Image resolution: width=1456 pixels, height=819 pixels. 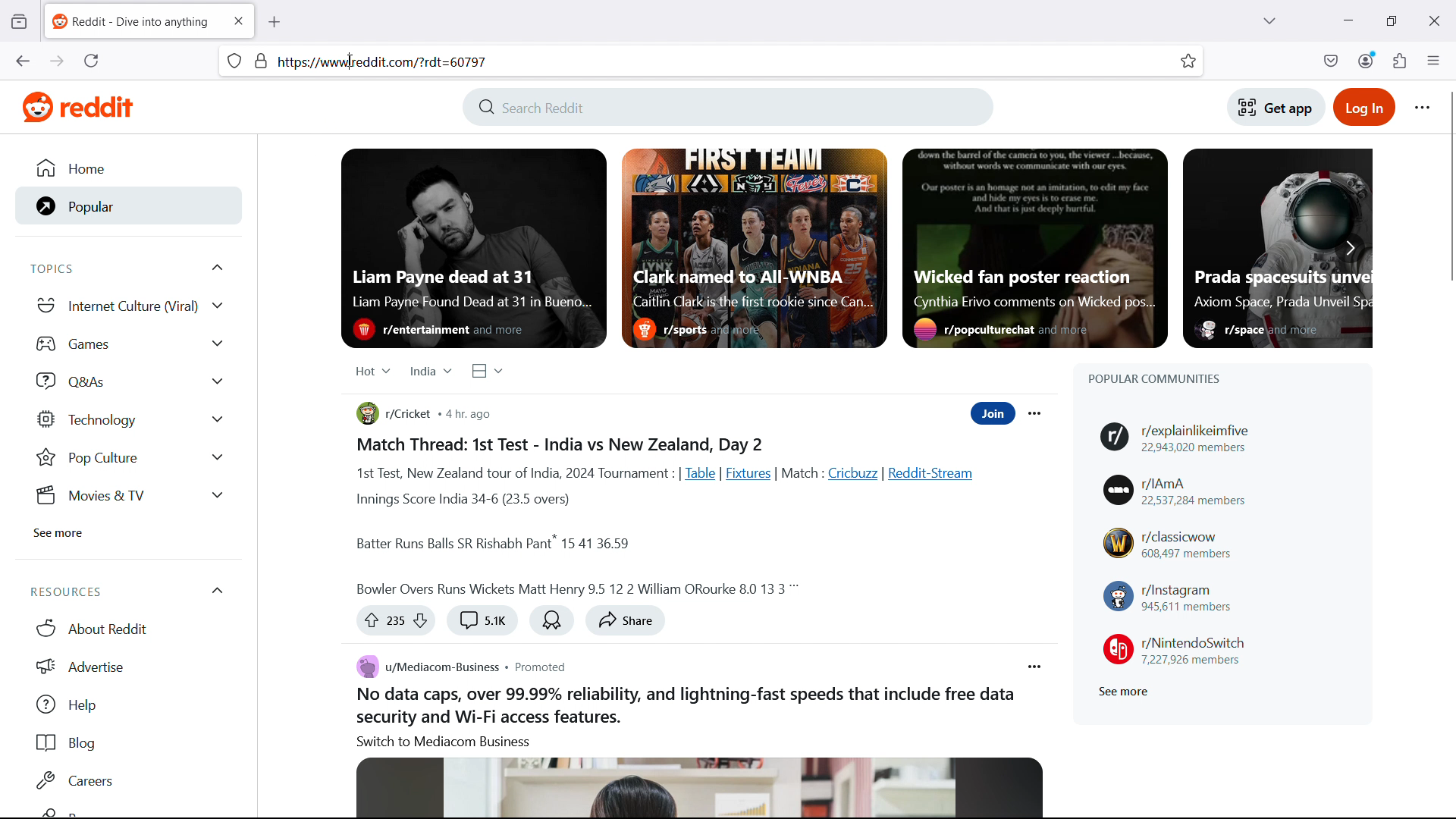 I want to click on See more, so click(x=59, y=533).